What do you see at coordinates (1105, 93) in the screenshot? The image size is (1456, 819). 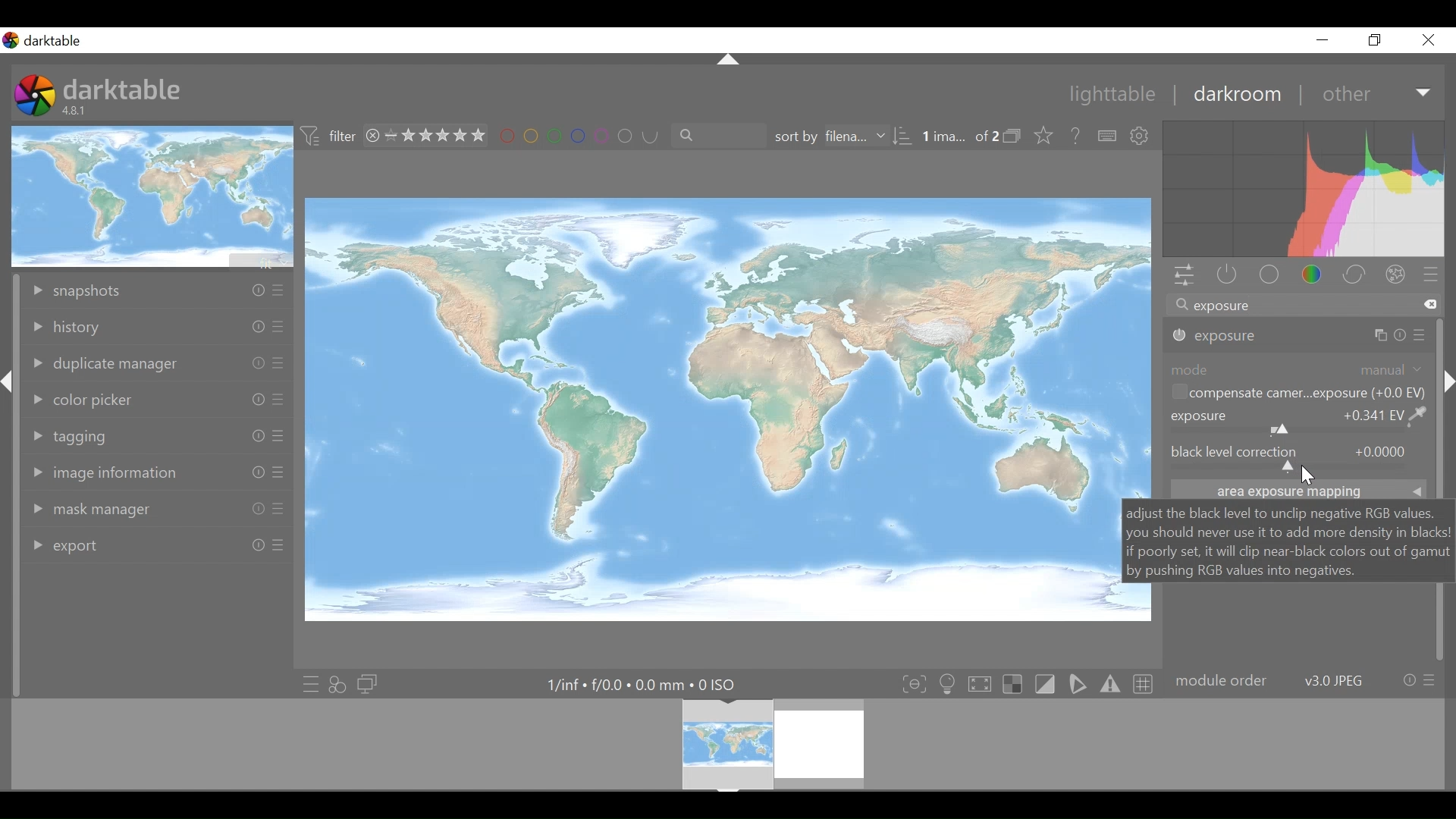 I see `Lightable` at bounding box center [1105, 93].